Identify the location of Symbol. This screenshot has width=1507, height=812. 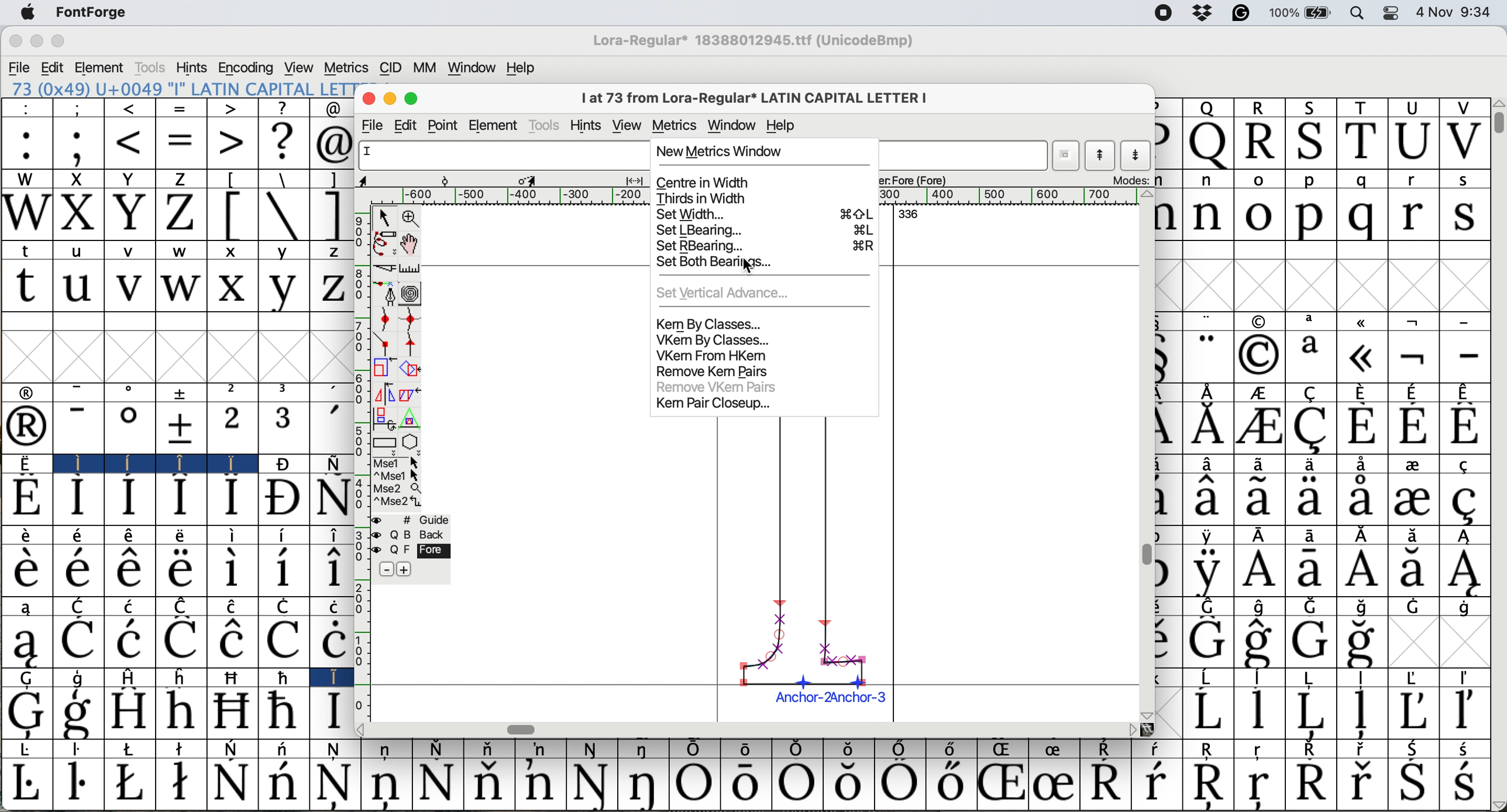
(1265, 606).